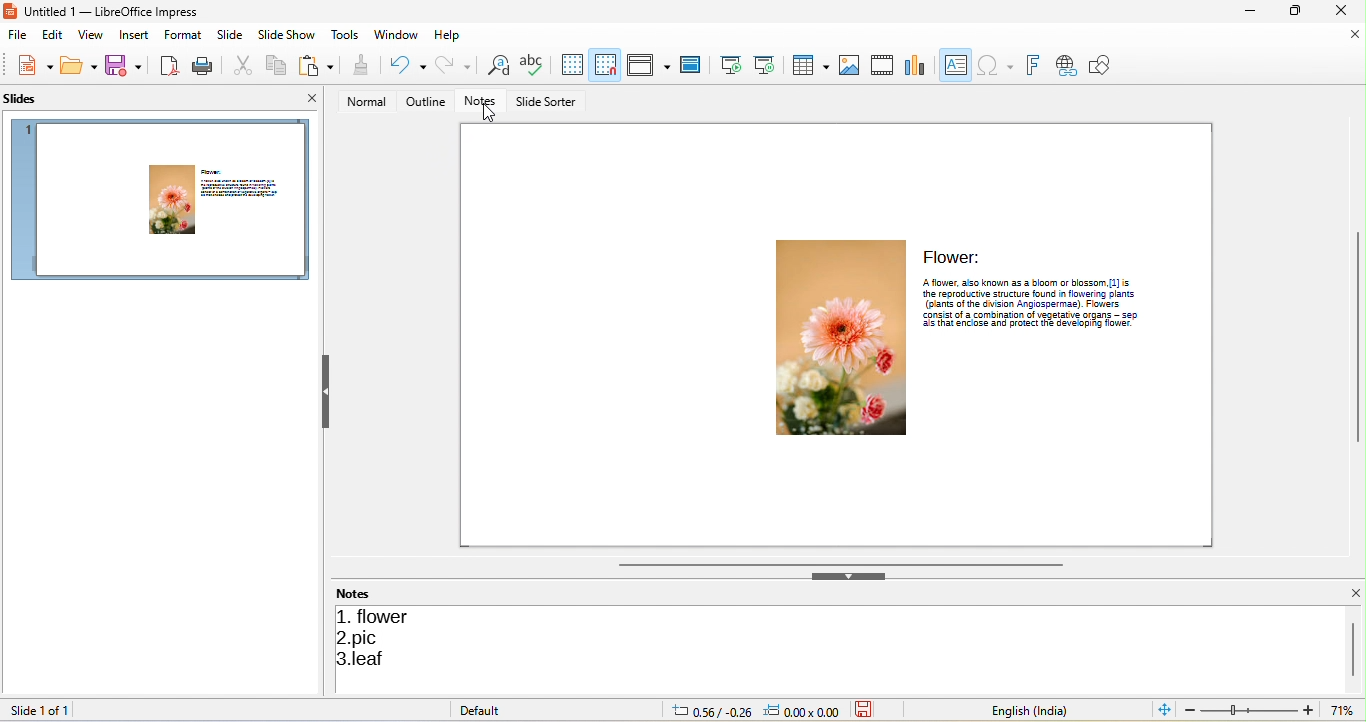  What do you see at coordinates (1355, 35) in the screenshot?
I see `close` at bounding box center [1355, 35].